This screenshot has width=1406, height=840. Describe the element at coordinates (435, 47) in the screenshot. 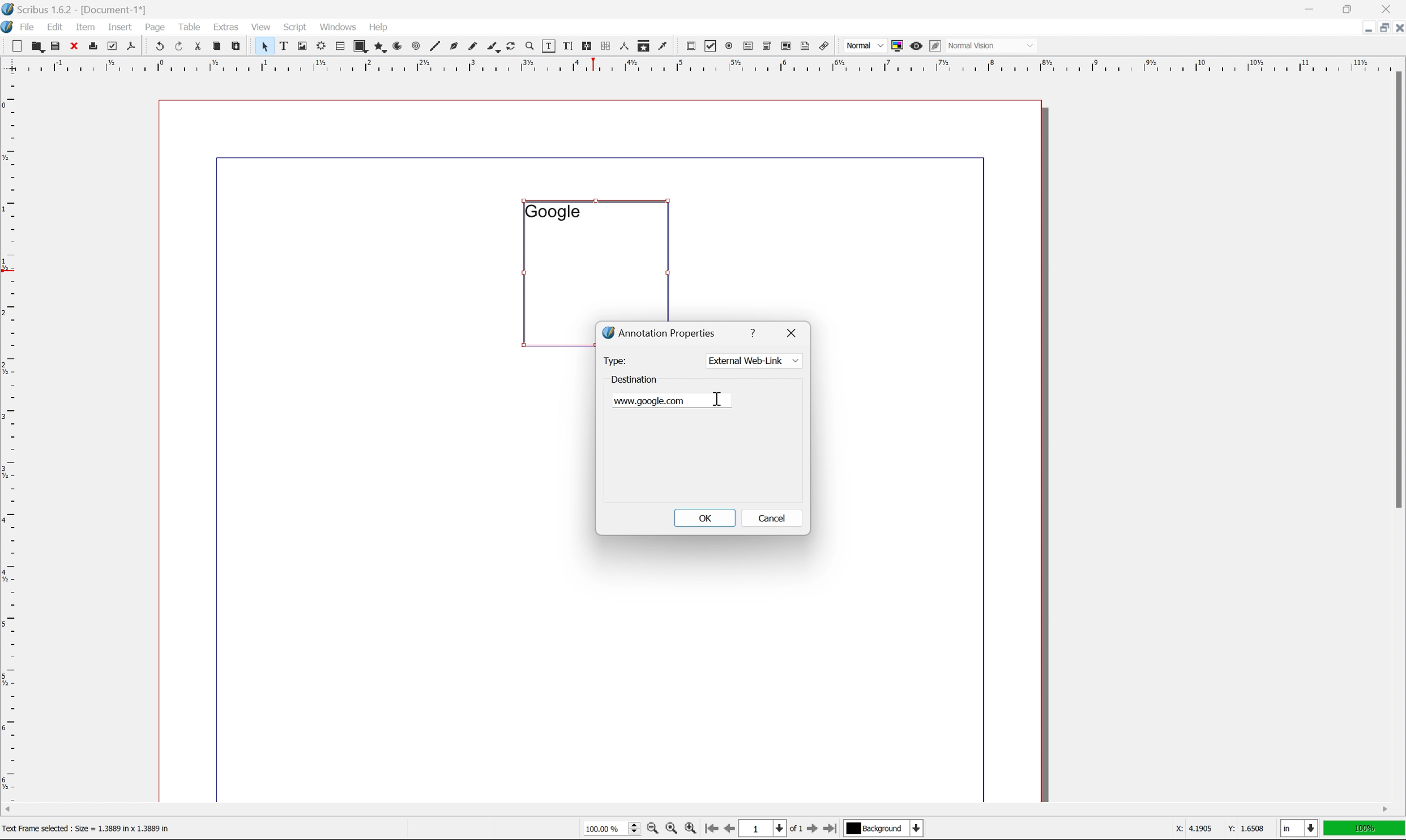

I see `line` at that location.